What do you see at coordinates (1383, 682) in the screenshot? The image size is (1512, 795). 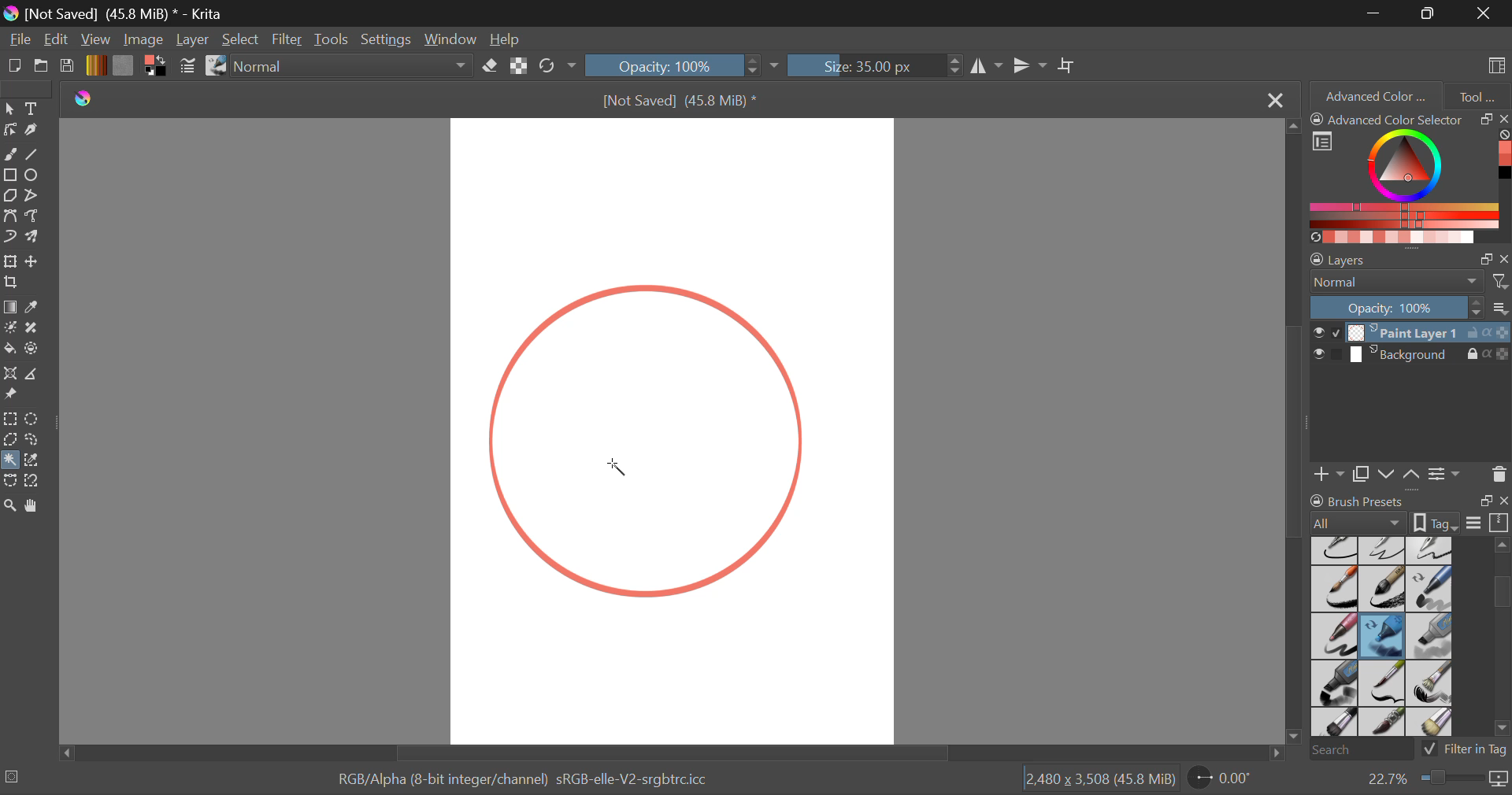 I see `Bristles-1 Details` at bounding box center [1383, 682].